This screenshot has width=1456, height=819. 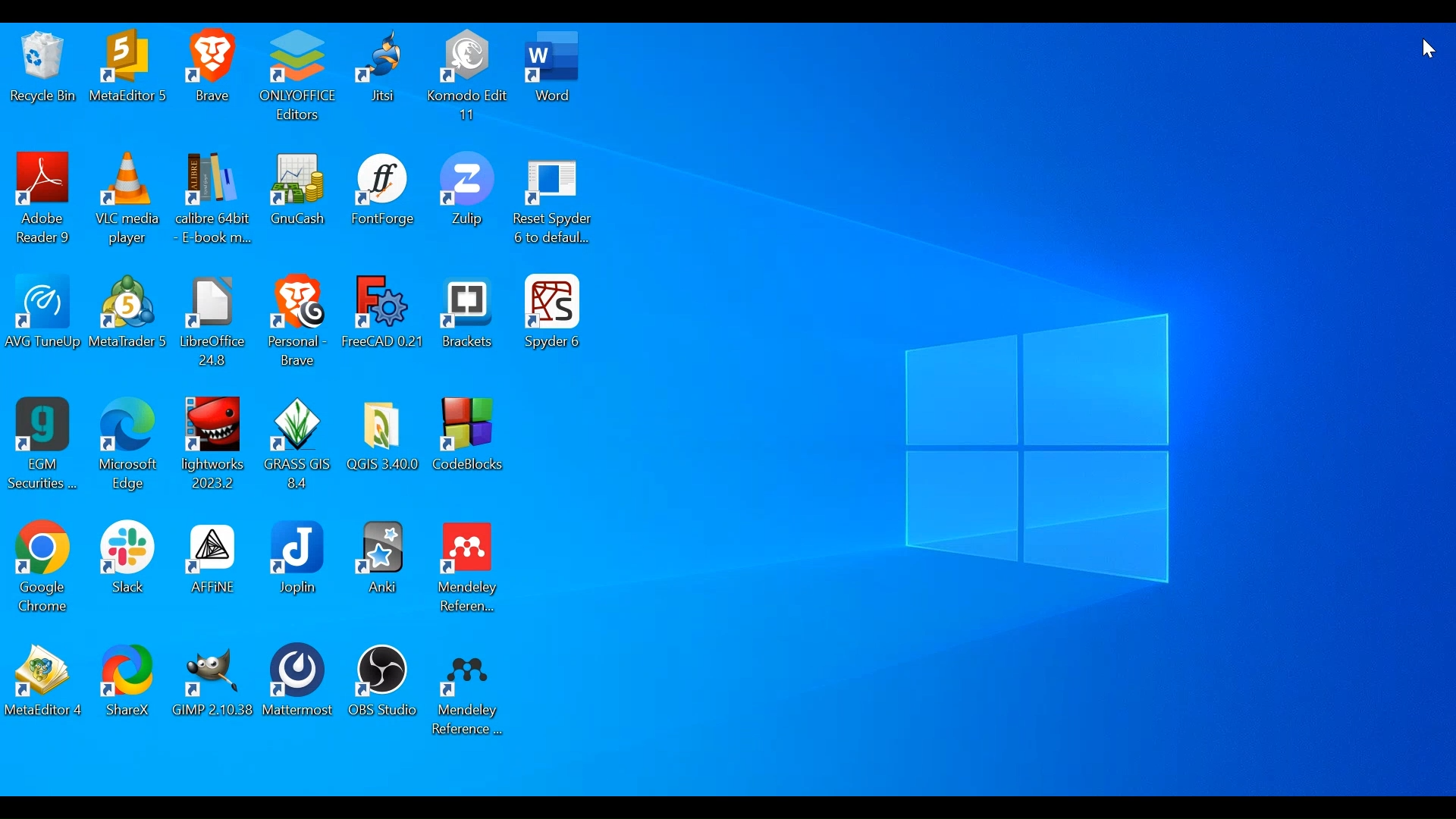 What do you see at coordinates (384, 447) in the screenshot?
I see `QGIS 3.40.0` at bounding box center [384, 447].